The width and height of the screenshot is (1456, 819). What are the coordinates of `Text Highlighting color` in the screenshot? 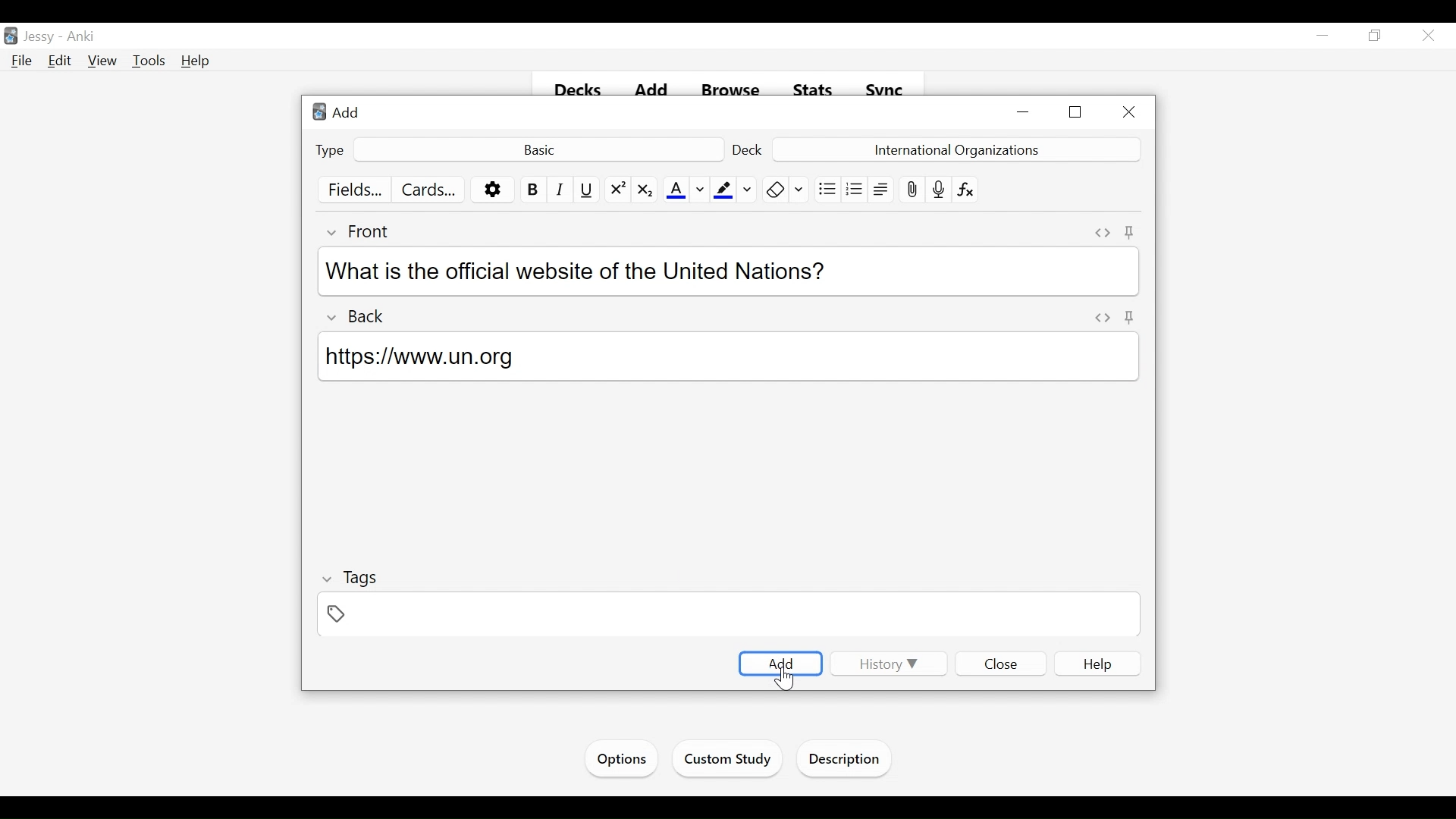 It's located at (723, 190).